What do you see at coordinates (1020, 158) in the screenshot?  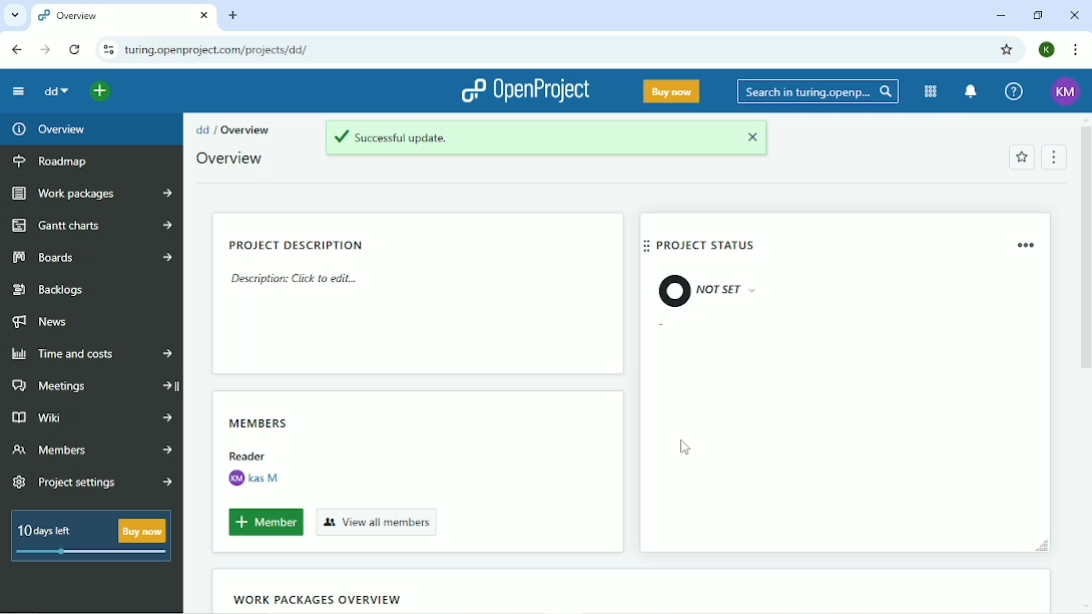 I see `Add to favorites` at bounding box center [1020, 158].